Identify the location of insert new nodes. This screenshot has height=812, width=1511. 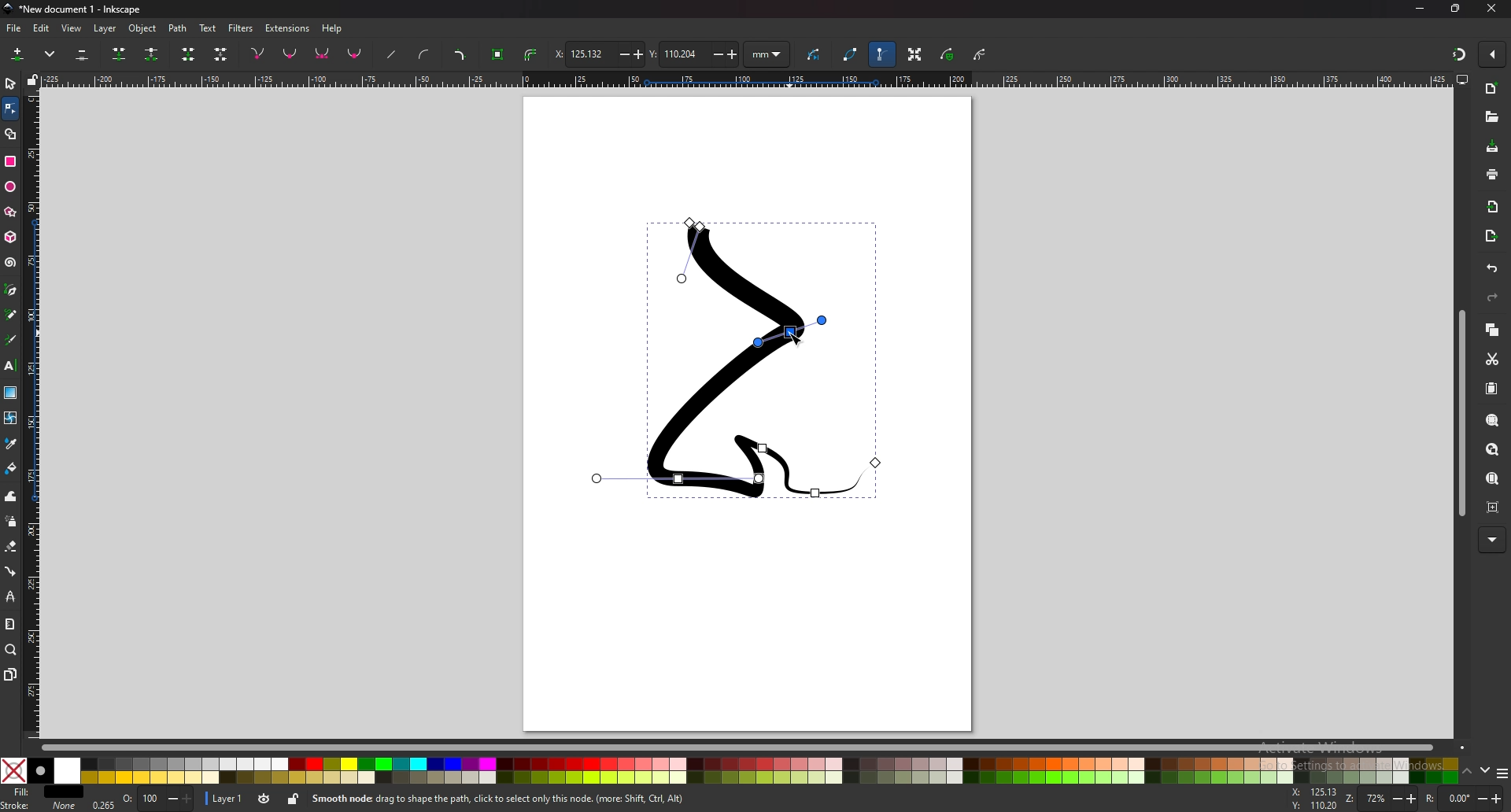
(18, 54).